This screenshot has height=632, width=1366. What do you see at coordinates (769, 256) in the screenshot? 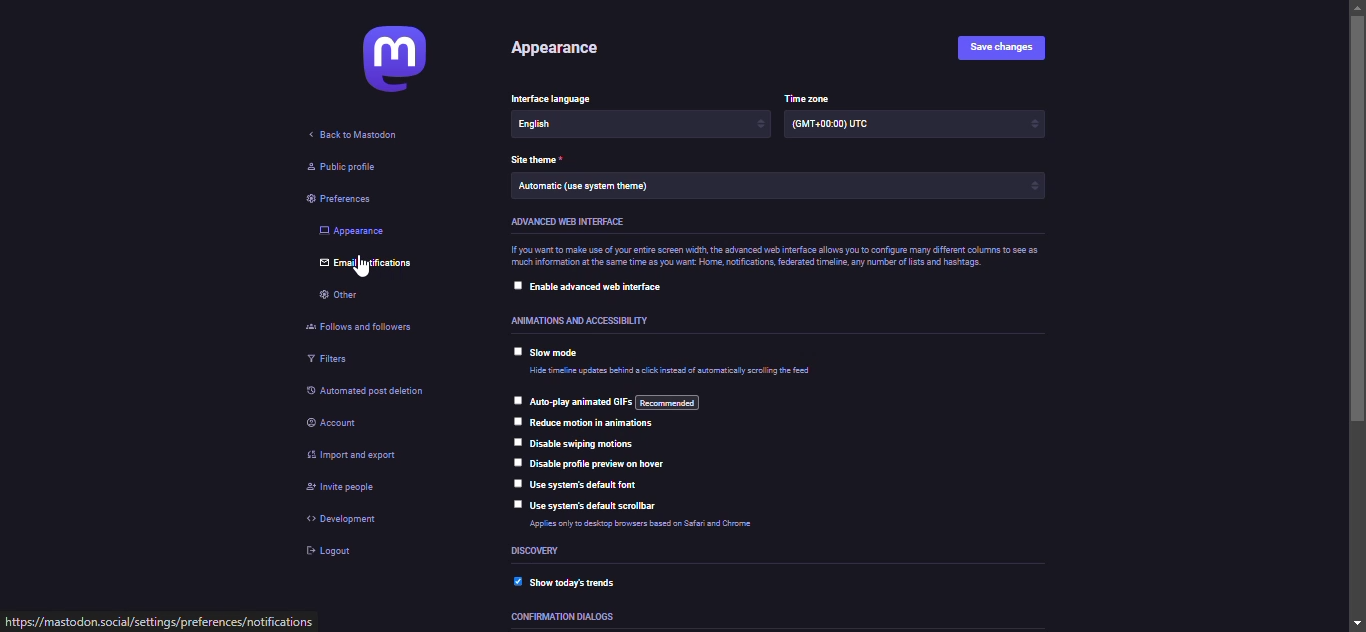
I see `info` at bounding box center [769, 256].